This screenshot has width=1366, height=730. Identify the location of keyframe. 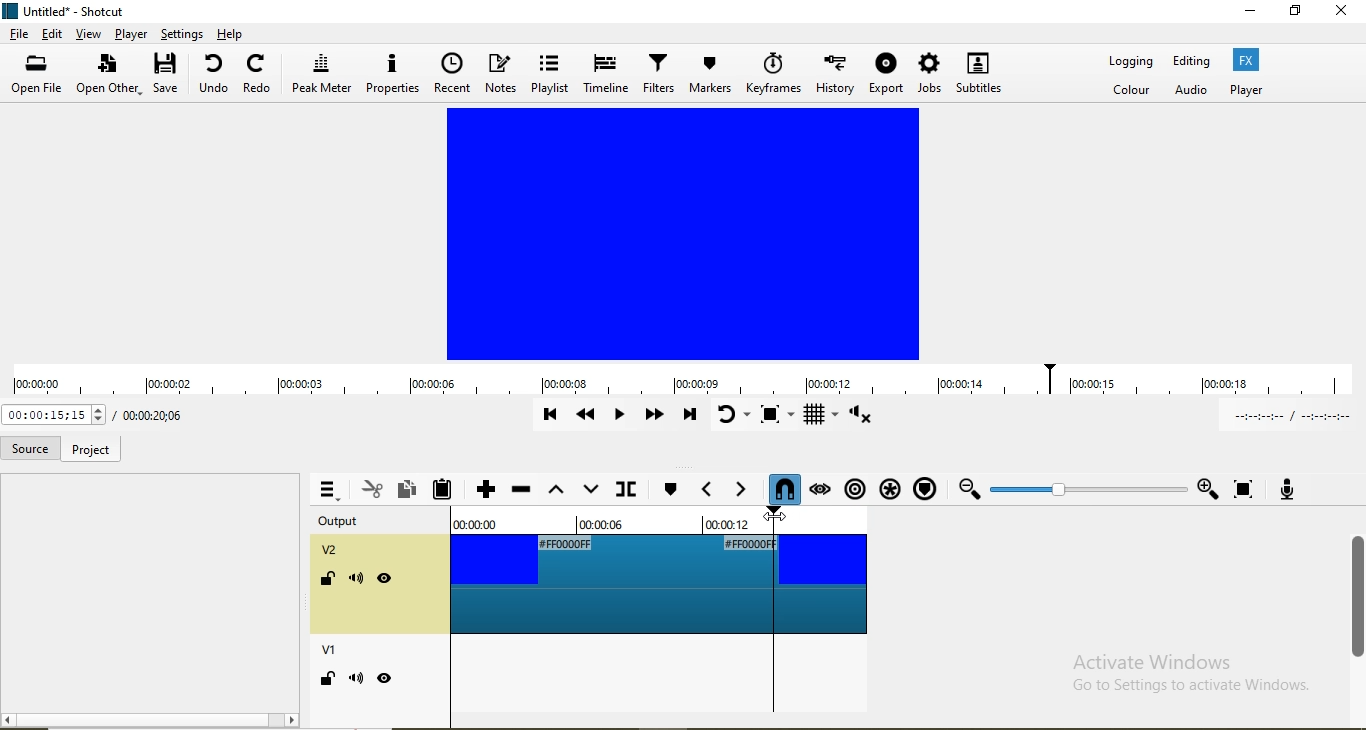
(774, 72).